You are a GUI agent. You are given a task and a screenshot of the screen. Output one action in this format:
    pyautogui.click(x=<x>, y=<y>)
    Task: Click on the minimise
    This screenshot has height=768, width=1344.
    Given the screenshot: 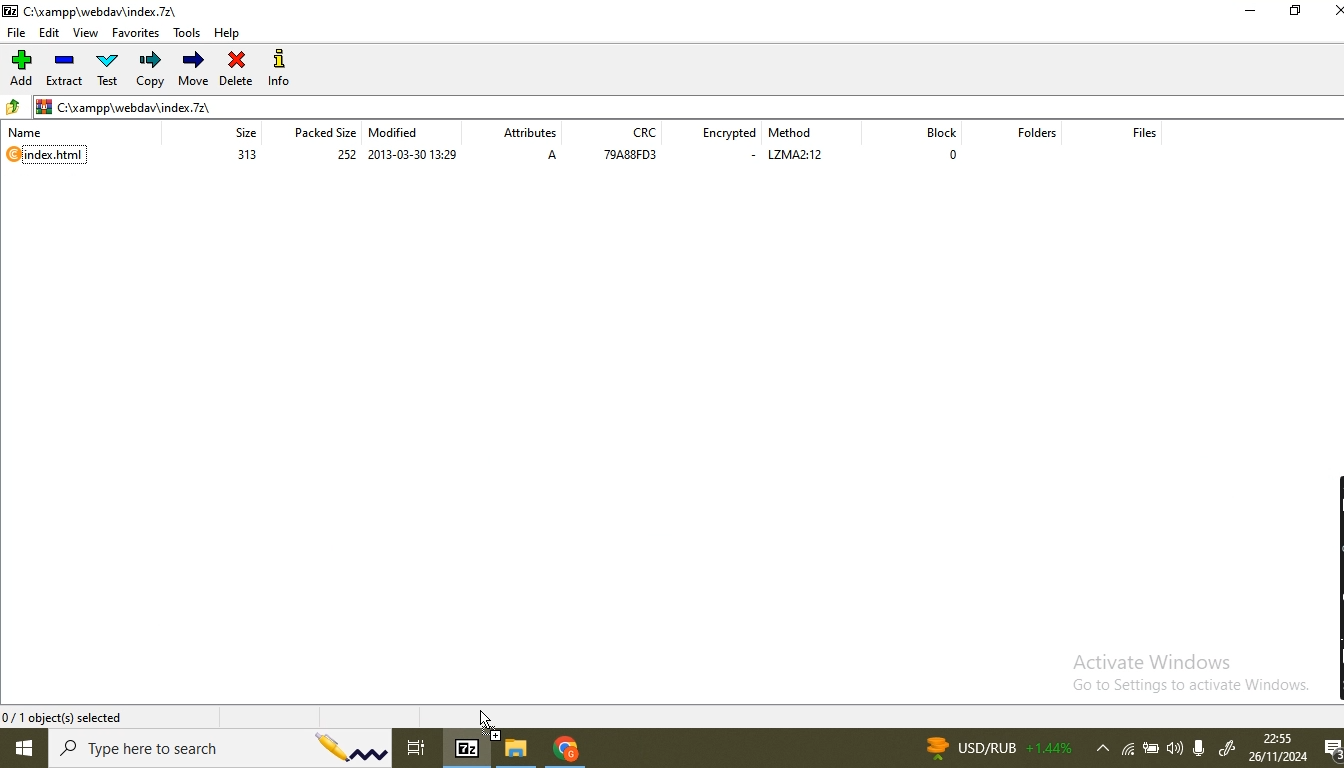 What is the action you would take?
    pyautogui.click(x=1249, y=13)
    